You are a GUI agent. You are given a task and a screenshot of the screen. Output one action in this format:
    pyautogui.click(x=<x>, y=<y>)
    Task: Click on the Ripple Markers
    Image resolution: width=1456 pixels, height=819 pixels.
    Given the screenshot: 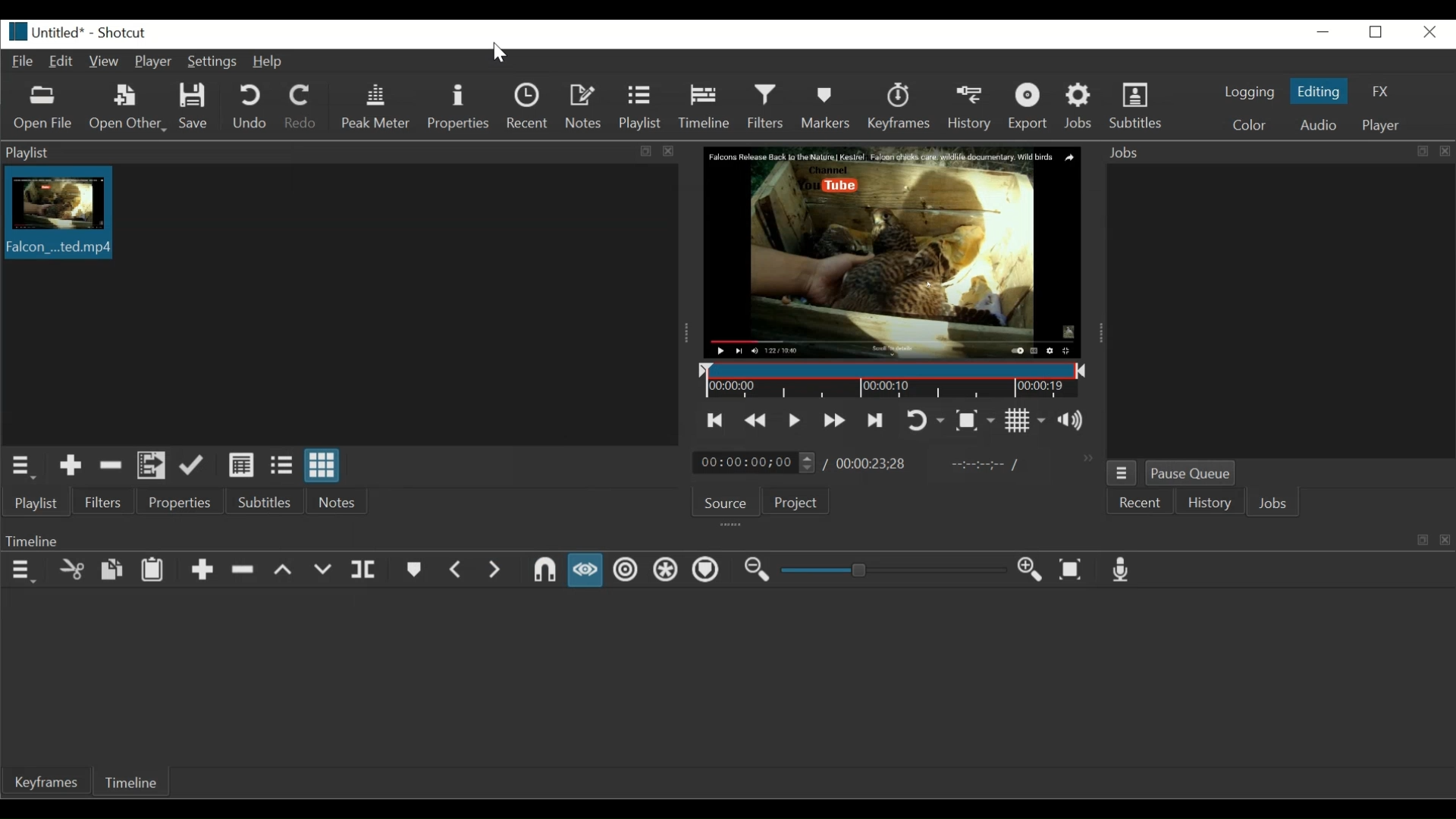 What is the action you would take?
    pyautogui.click(x=708, y=571)
    